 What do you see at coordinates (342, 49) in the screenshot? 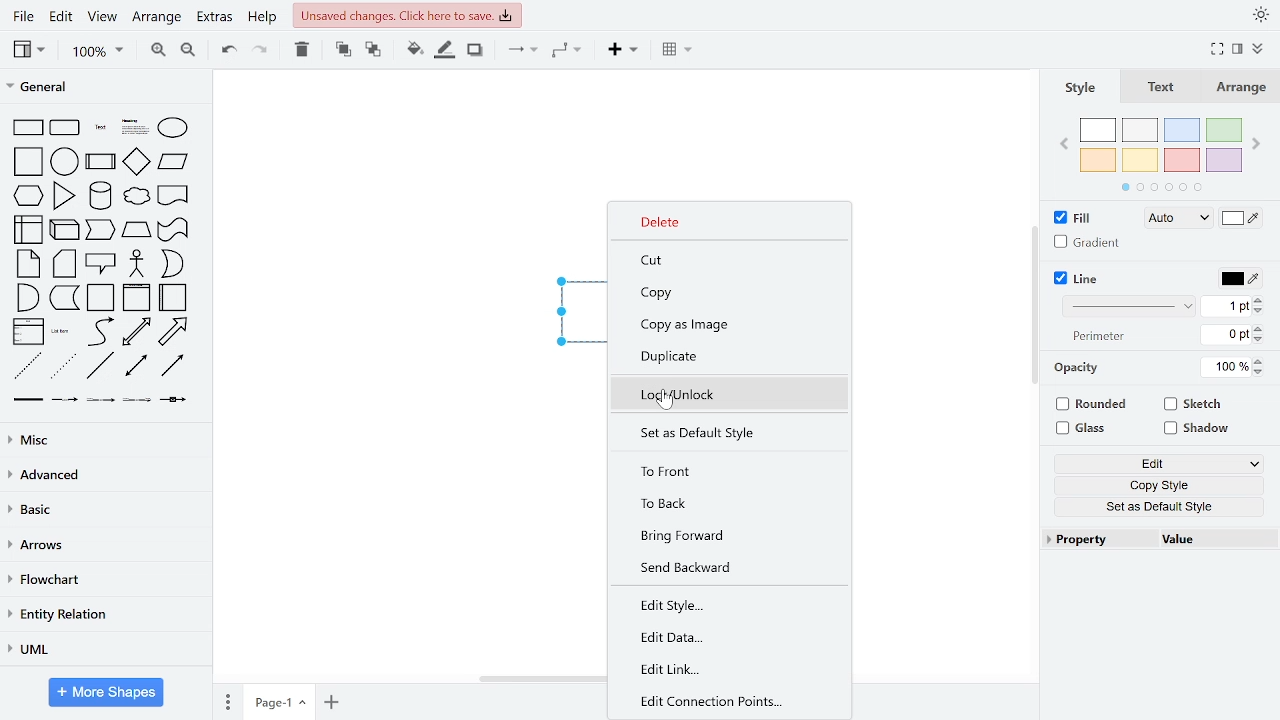
I see `to front` at bounding box center [342, 49].